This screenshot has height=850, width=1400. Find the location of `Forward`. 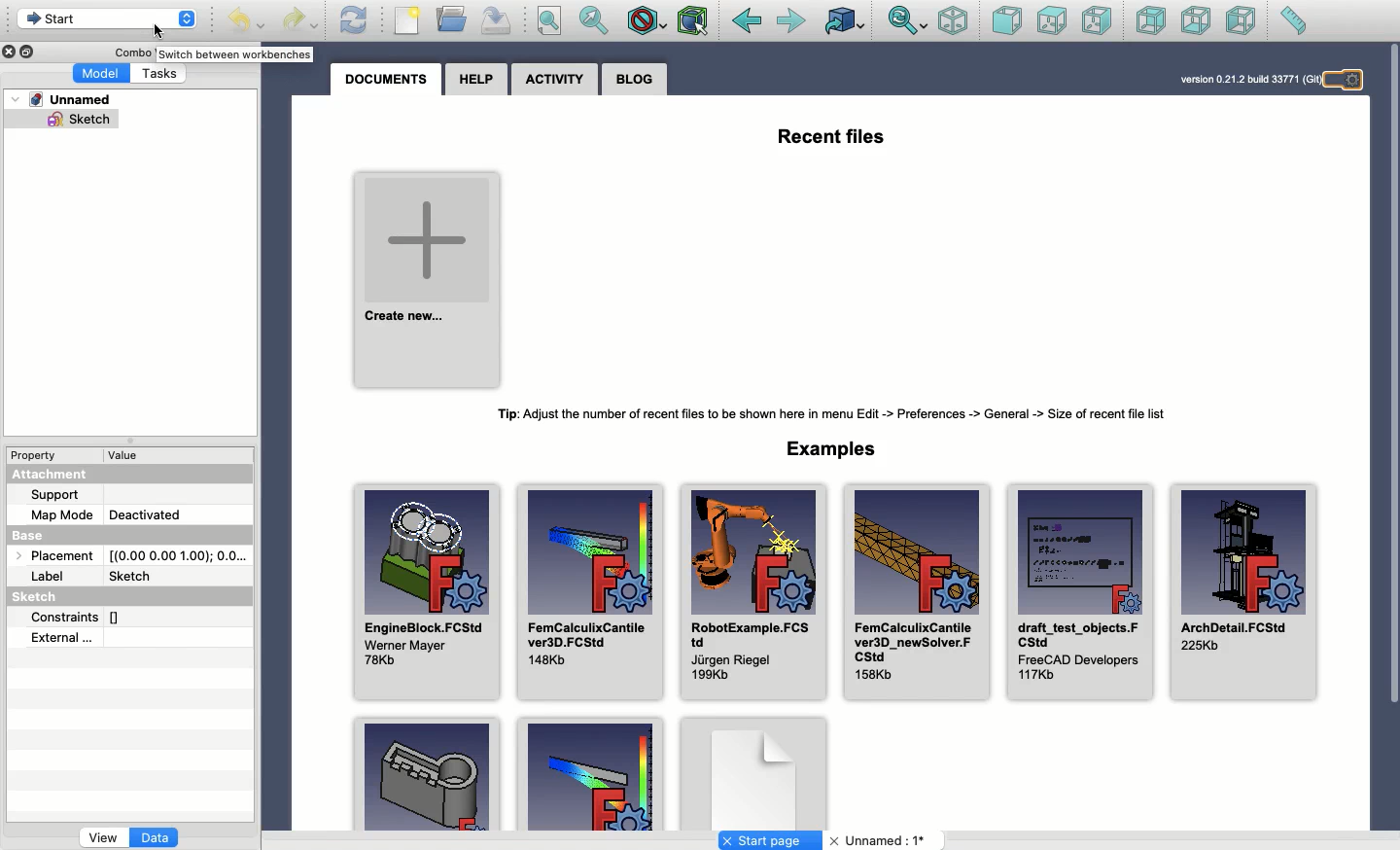

Forward is located at coordinates (793, 22).